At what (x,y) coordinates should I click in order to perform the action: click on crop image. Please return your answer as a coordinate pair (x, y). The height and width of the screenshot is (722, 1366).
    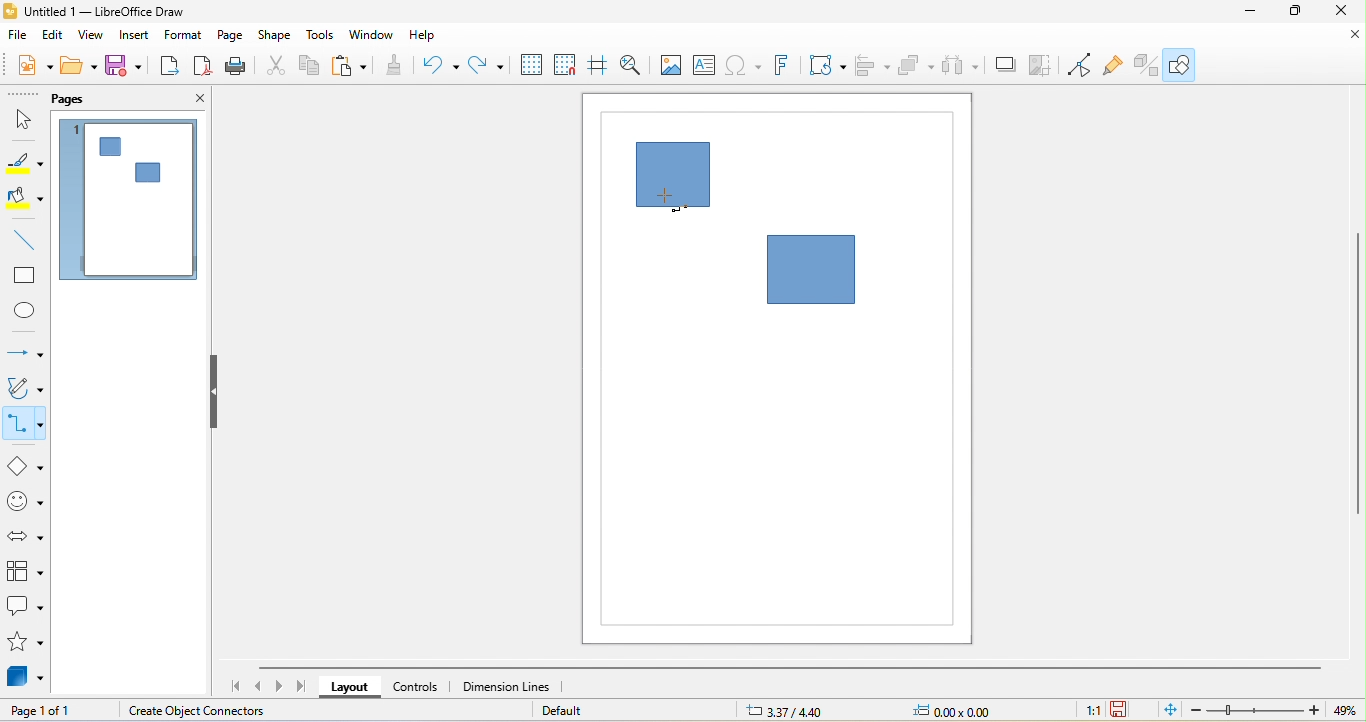
    Looking at the image, I should click on (1044, 65).